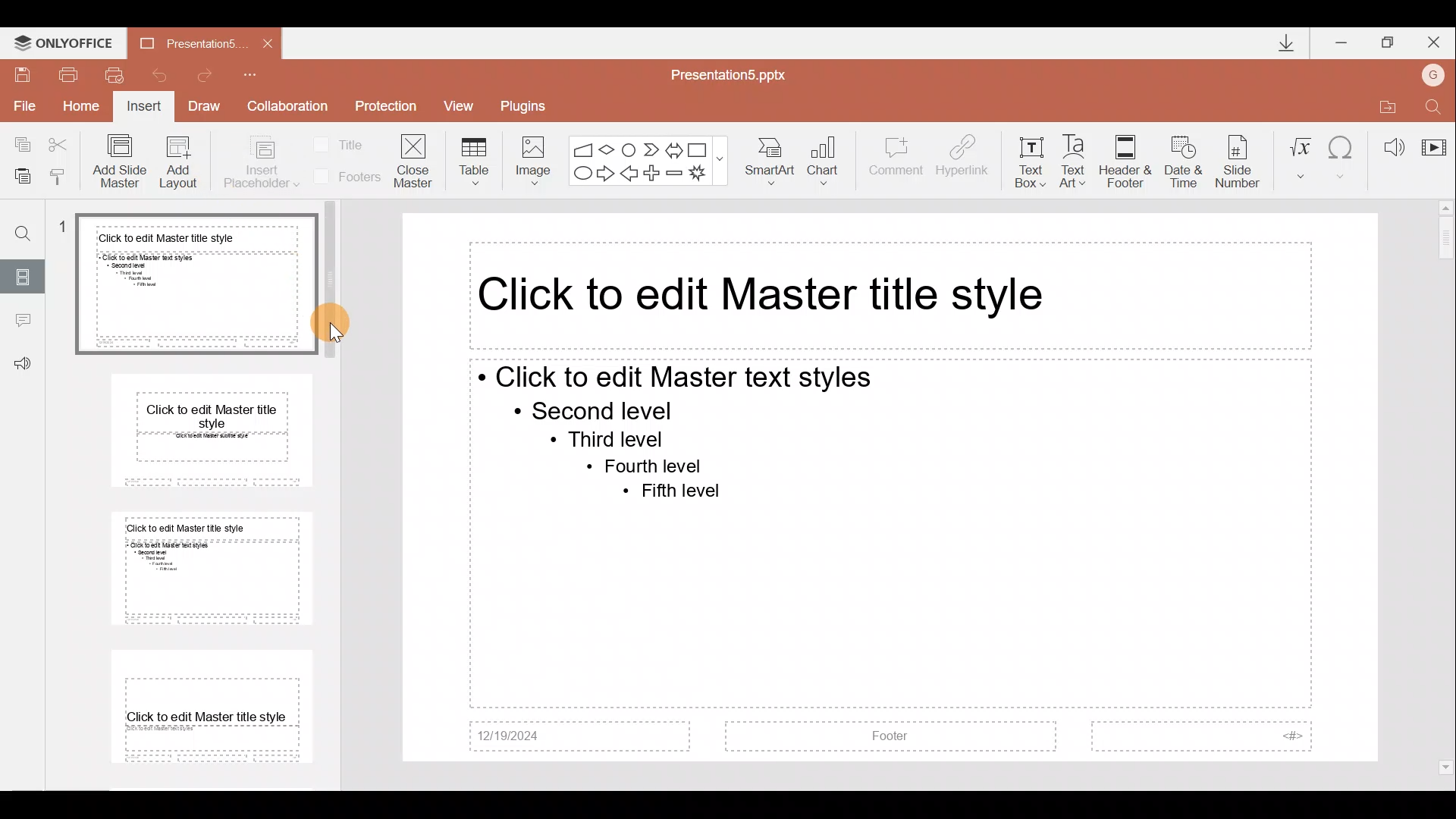  What do you see at coordinates (1436, 39) in the screenshot?
I see `Close` at bounding box center [1436, 39].